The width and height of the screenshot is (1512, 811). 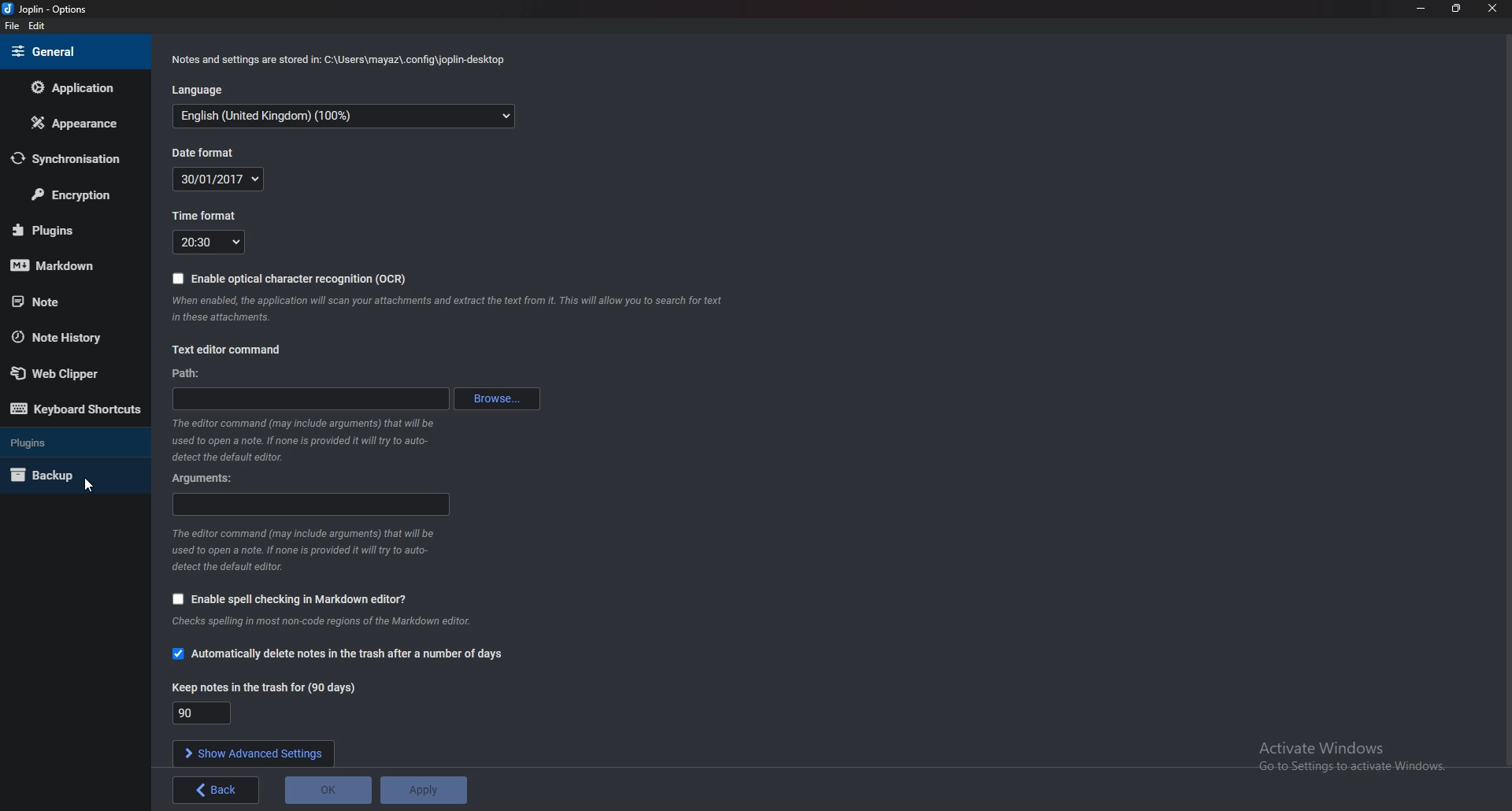 I want to click on Plugins, so click(x=59, y=231).